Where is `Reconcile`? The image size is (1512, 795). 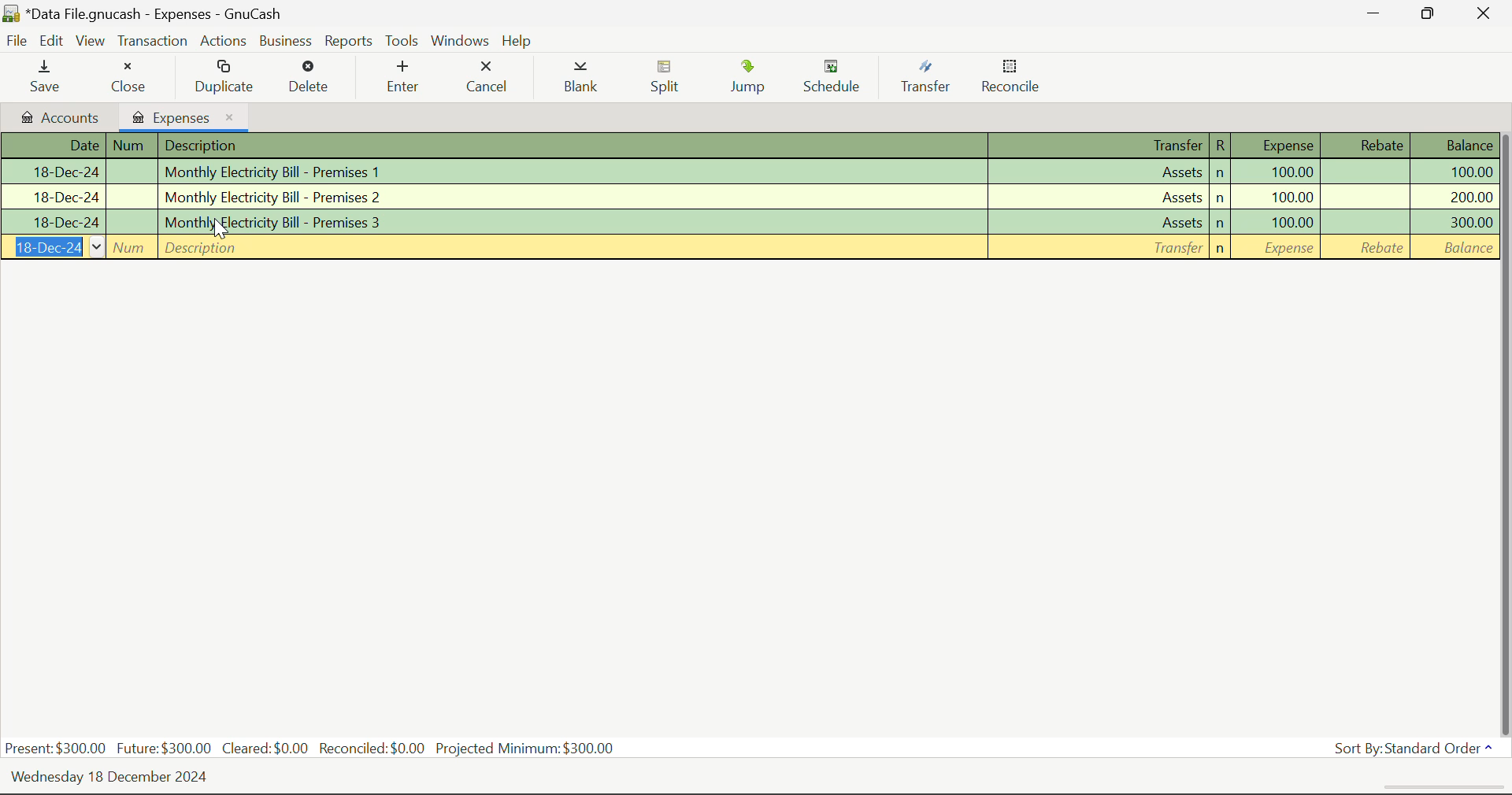 Reconcile is located at coordinates (1017, 79).